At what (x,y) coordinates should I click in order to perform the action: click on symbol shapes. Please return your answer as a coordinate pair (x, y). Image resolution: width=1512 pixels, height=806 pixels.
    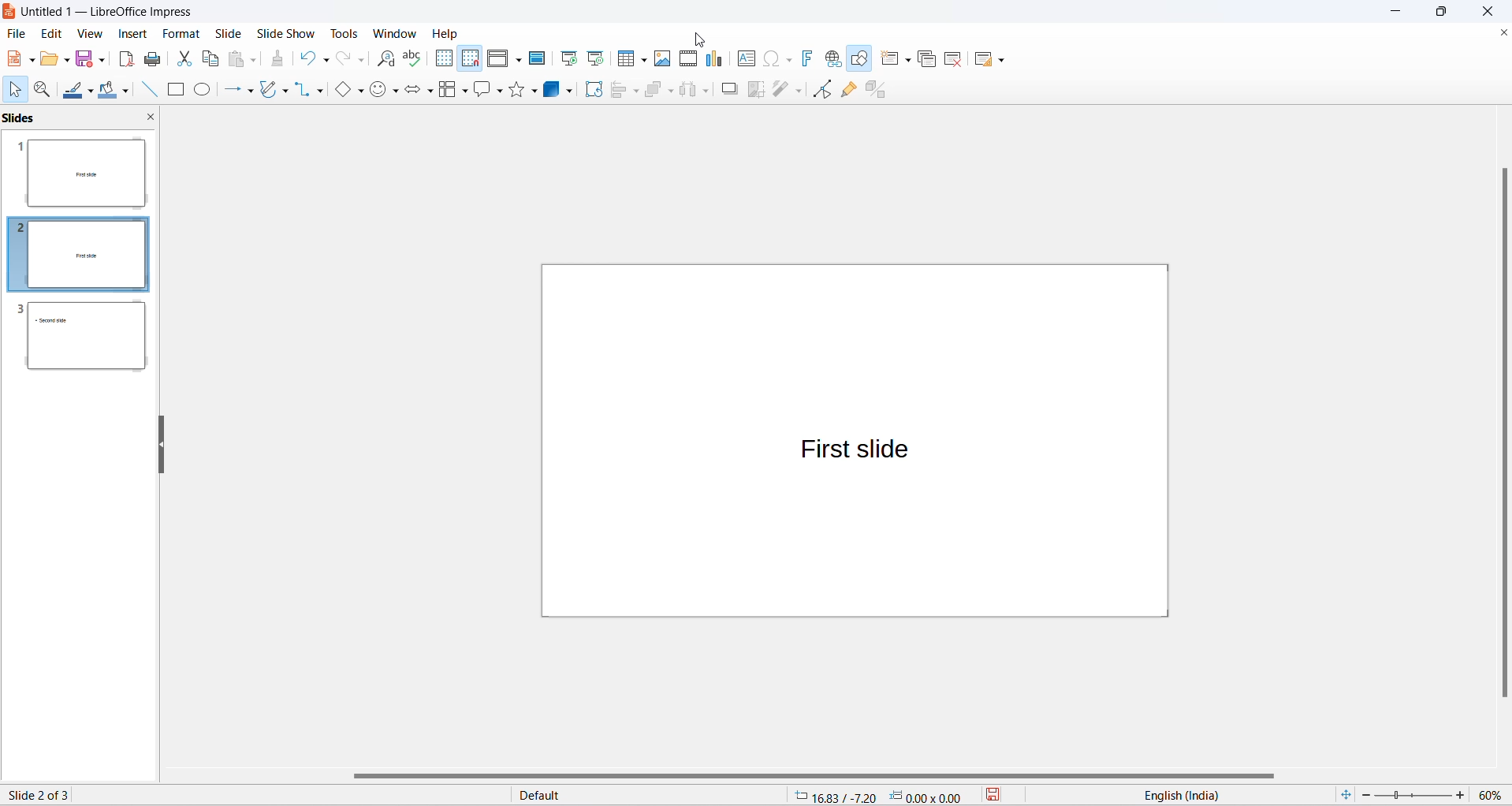
    Looking at the image, I should click on (378, 91).